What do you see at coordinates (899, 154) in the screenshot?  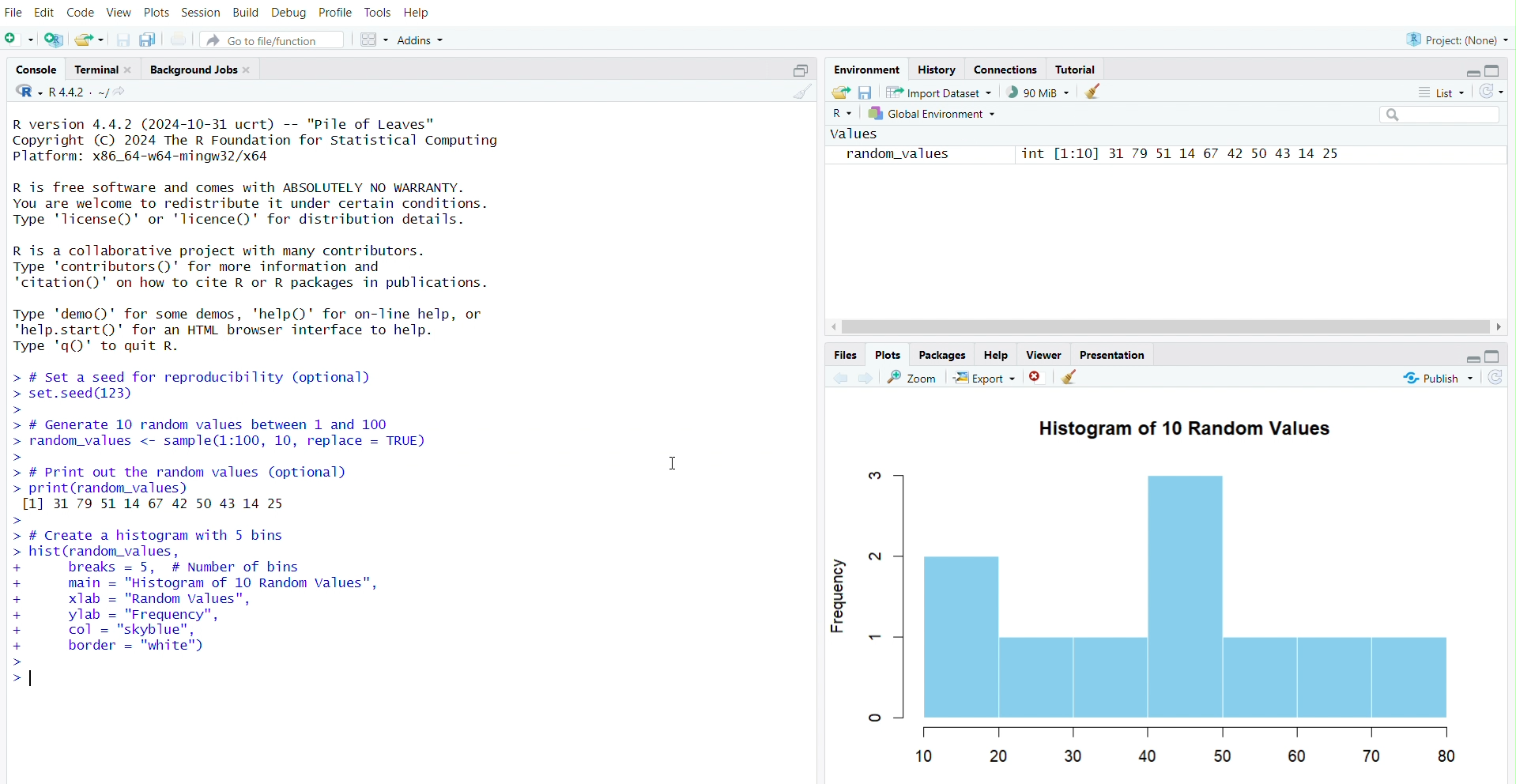 I see `random_values` at bounding box center [899, 154].